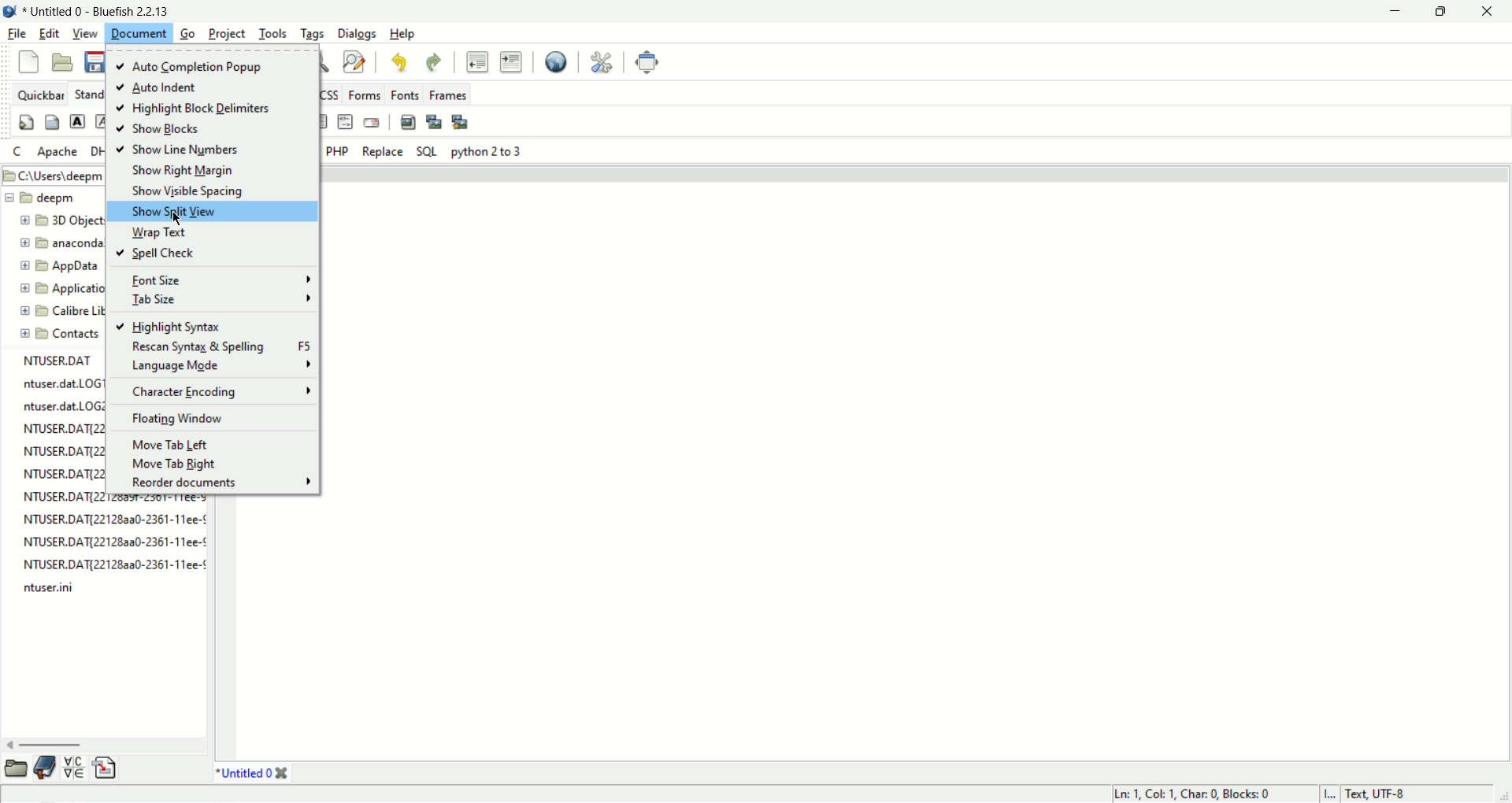 This screenshot has width=1512, height=803. What do you see at coordinates (356, 34) in the screenshot?
I see `dialogs` at bounding box center [356, 34].